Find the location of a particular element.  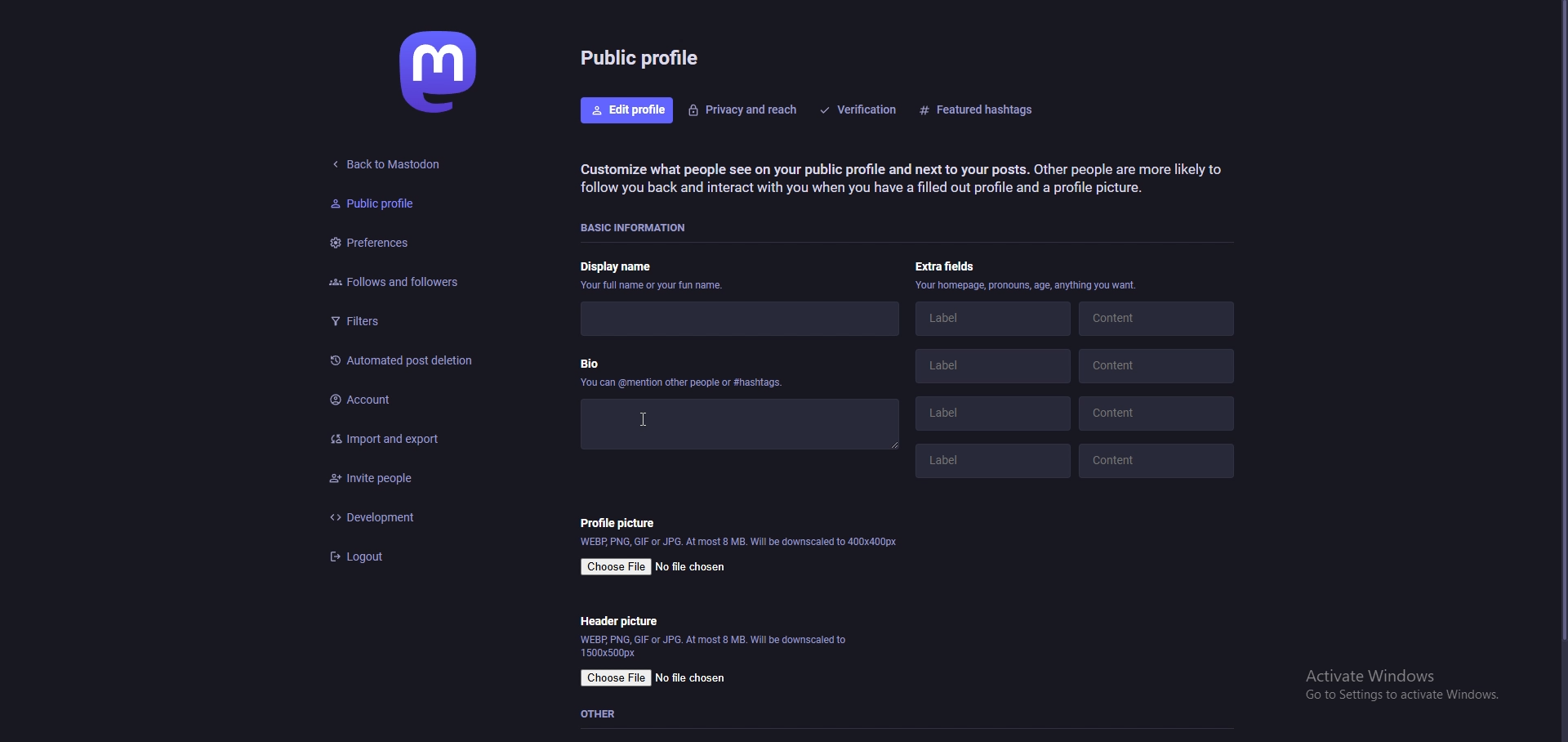

info is located at coordinates (899, 178).